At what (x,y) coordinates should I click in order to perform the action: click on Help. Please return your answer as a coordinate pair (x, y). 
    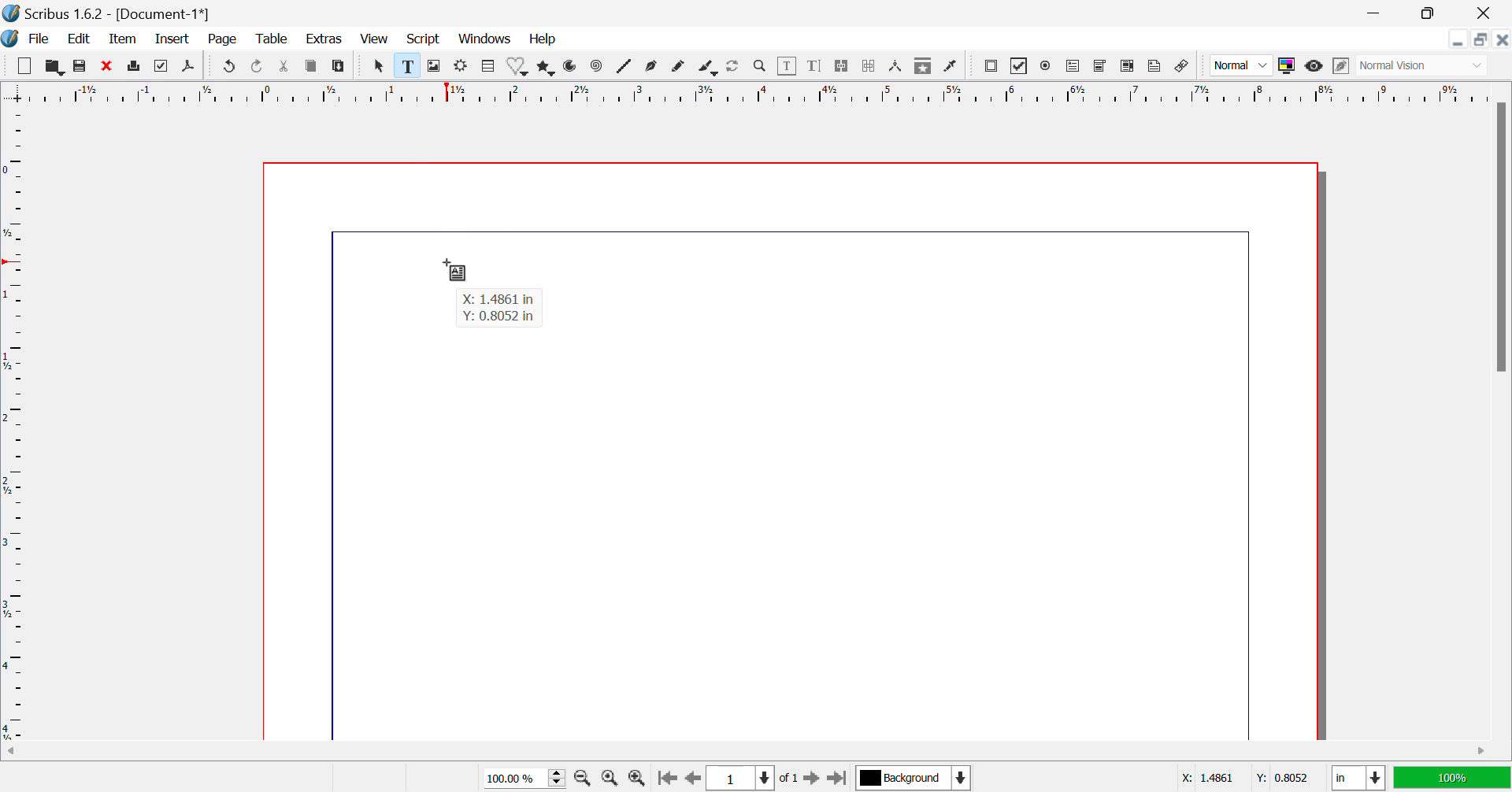
    Looking at the image, I should click on (543, 40).